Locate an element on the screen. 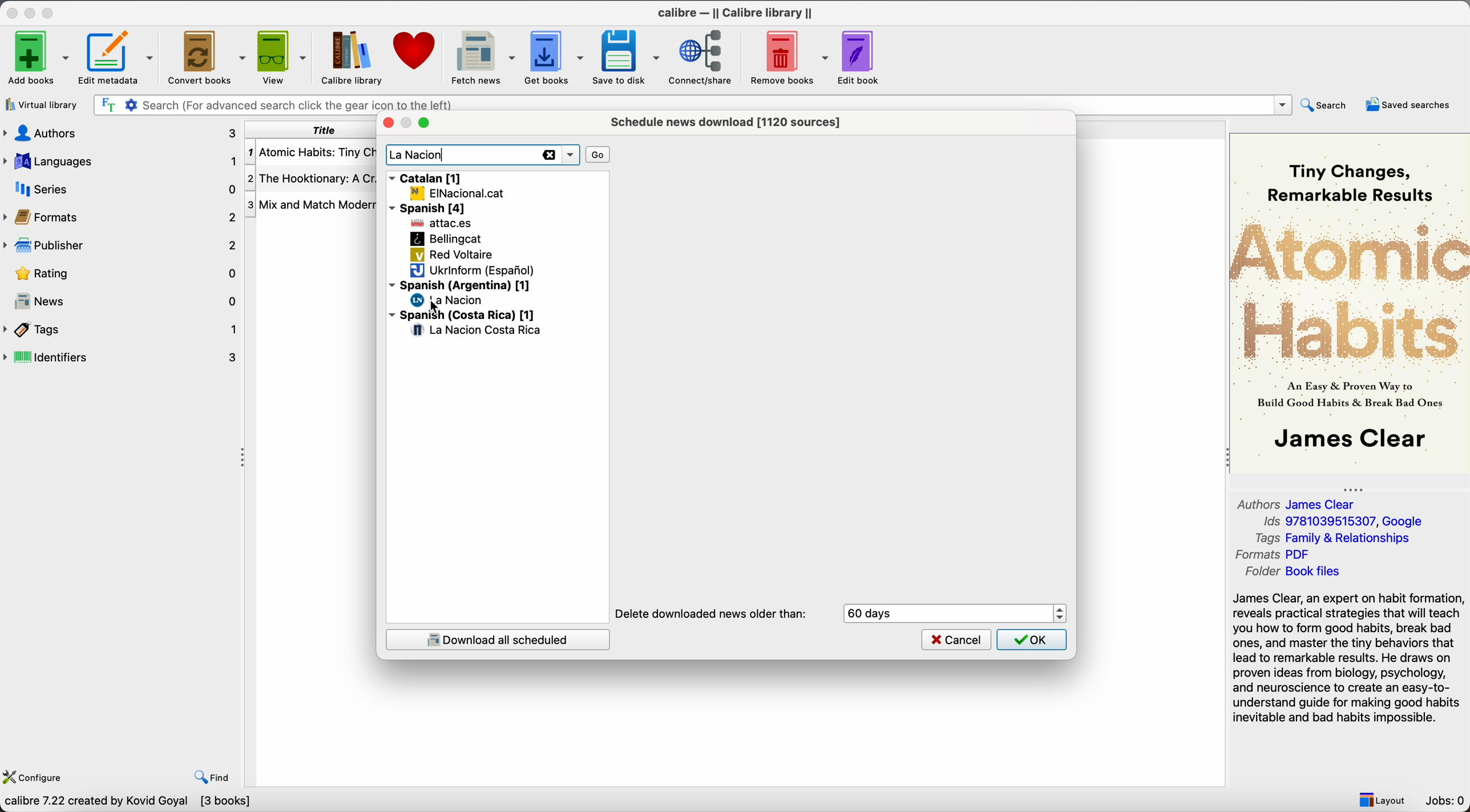 Image resolution: width=1470 pixels, height=812 pixels. series is located at coordinates (122, 188).